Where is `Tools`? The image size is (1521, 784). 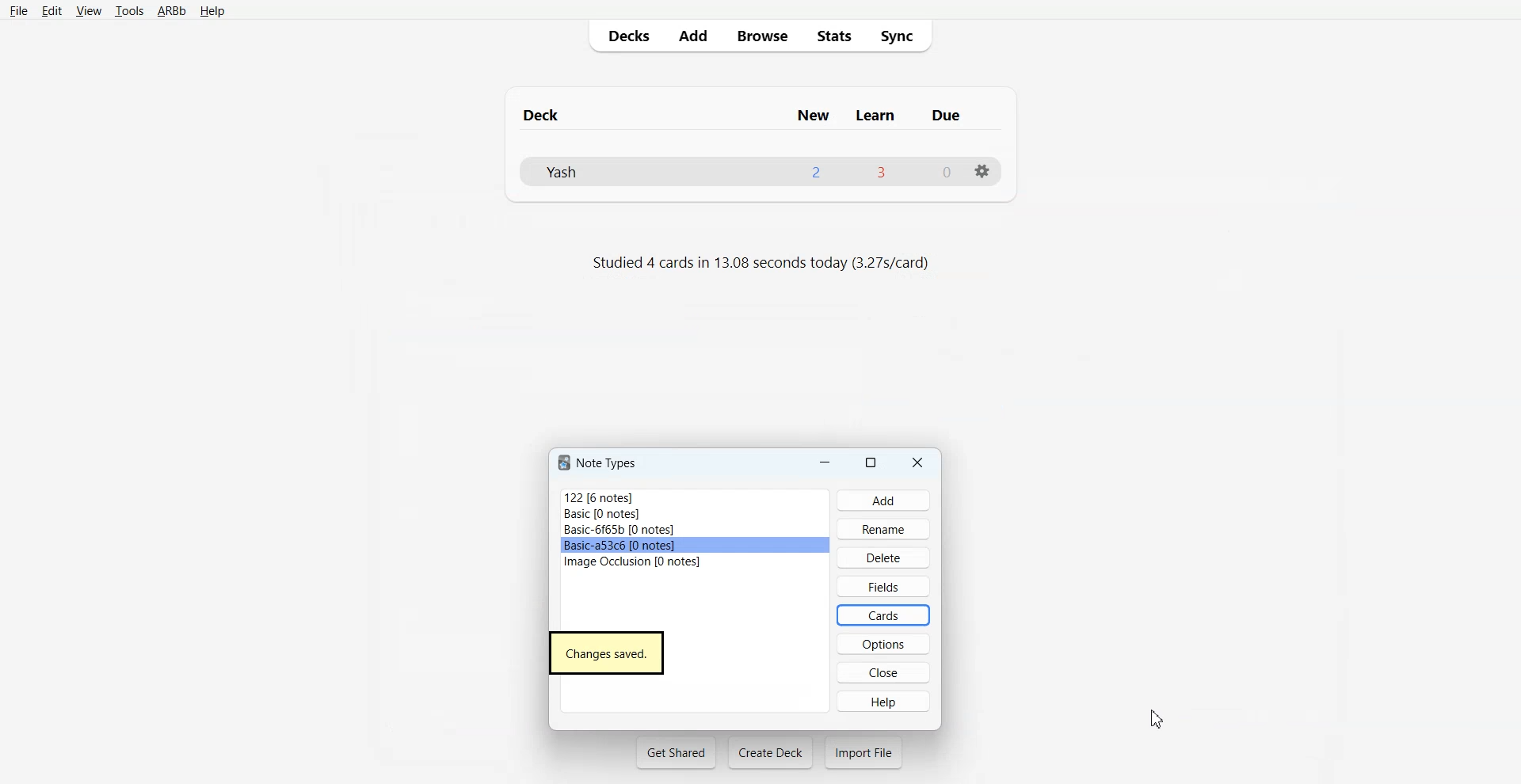
Tools is located at coordinates (129, 12).